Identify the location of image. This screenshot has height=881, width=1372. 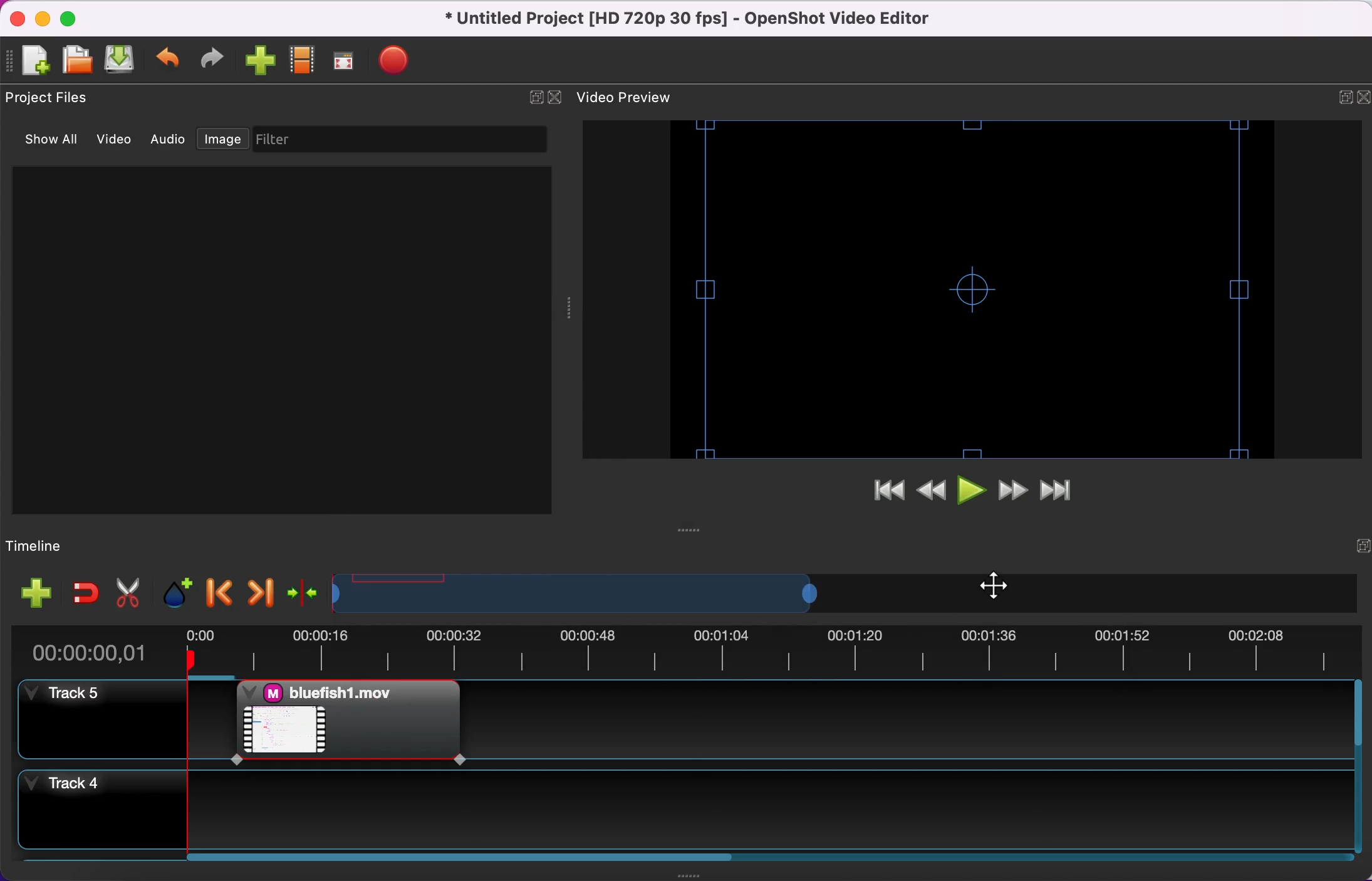
(221, 140).